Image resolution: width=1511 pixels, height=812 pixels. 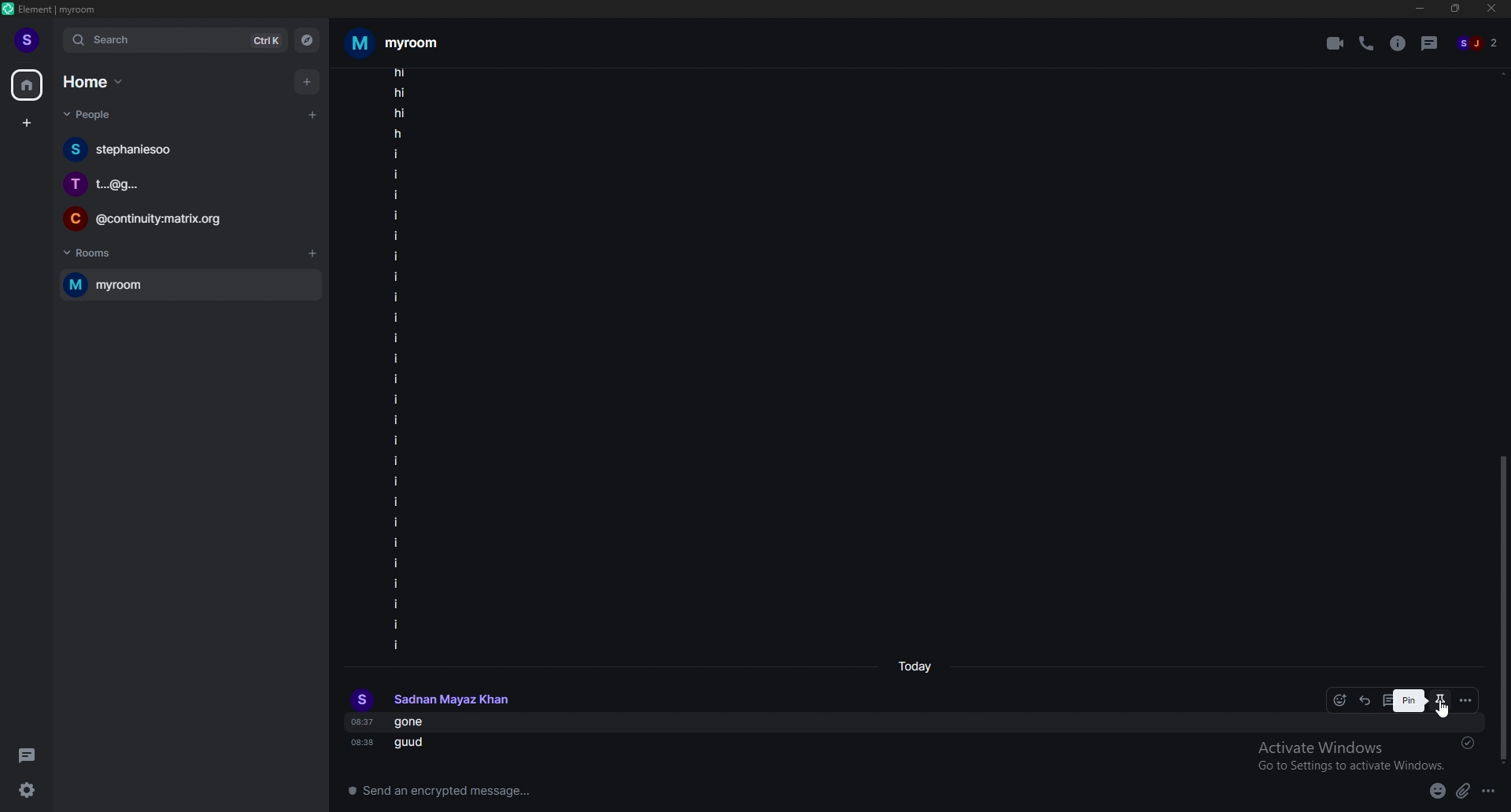 What do you see at coordinates (914, 668) in the screenshot?
I see `time` at bounding box center [914, 668].